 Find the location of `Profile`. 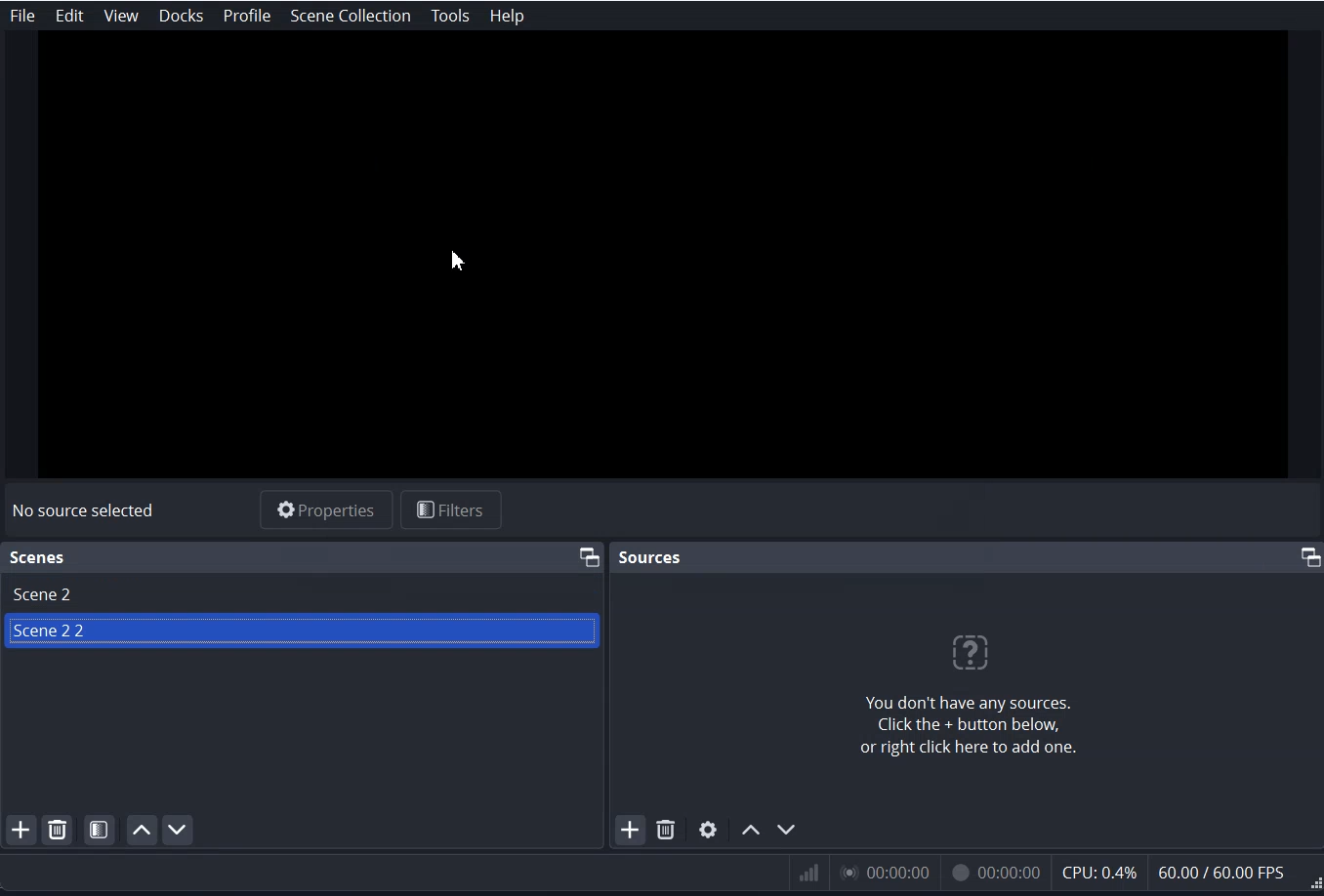

Profile is located at coordinates (248, 17).